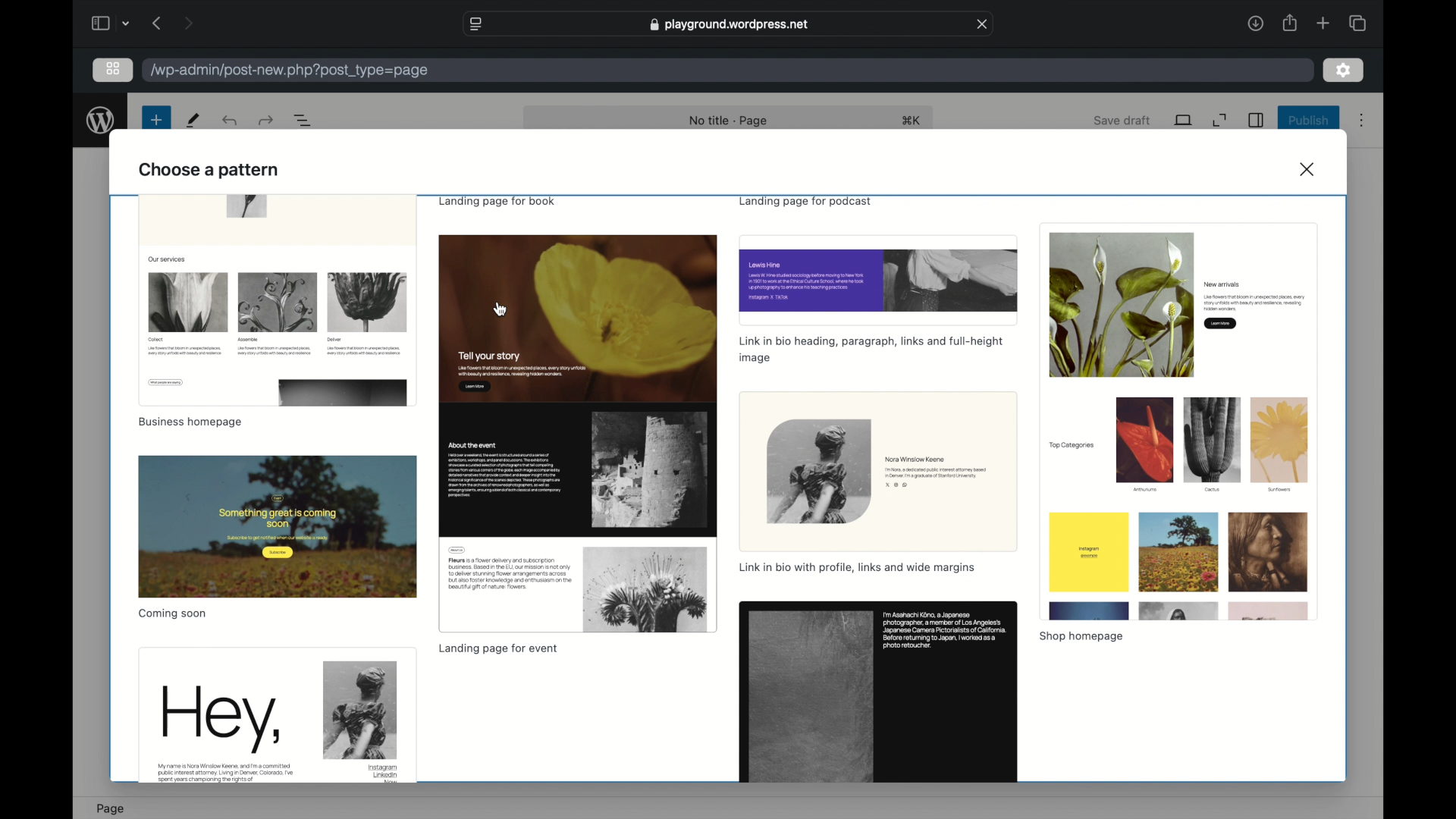 The height and width of the screenshot is (819, 1456). What do you see at coordinates (1183, 119) in the screenshot?
I see `view` at bounding box center [1183, 119].